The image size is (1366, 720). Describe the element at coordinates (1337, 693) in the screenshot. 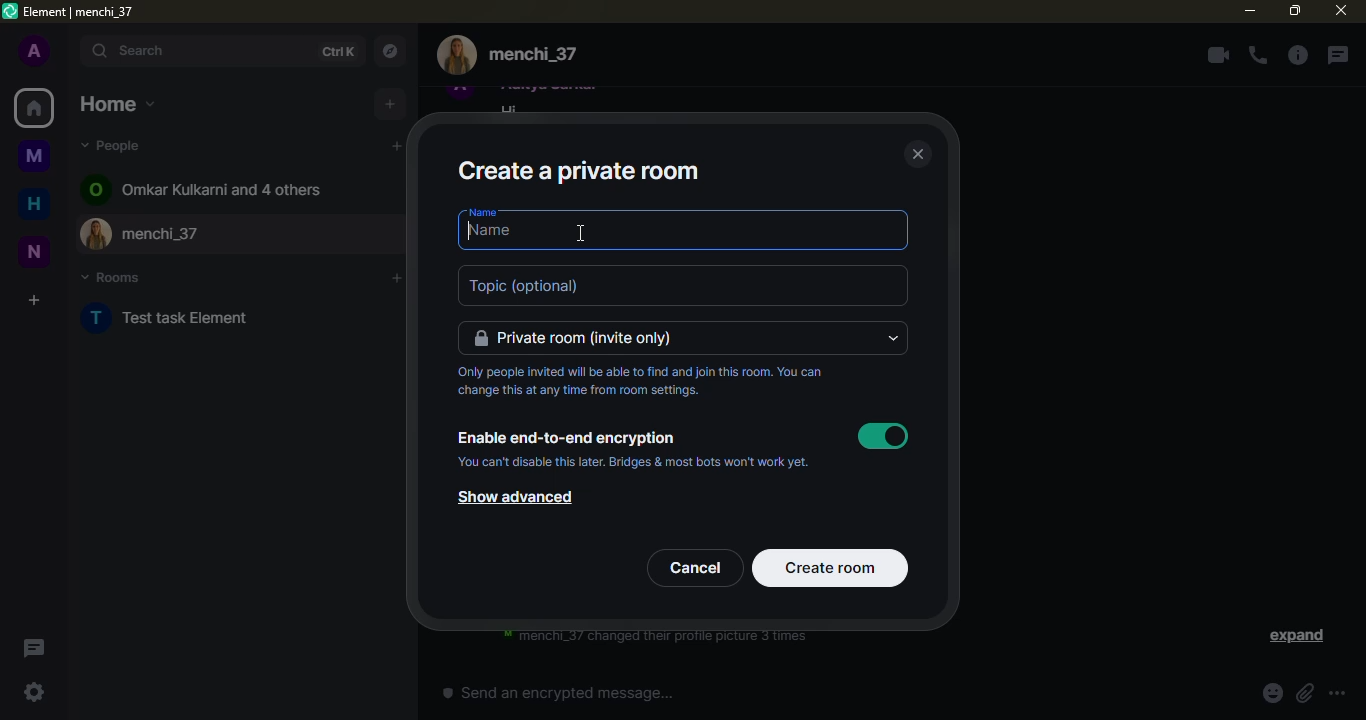

I see `more settings` at that location.